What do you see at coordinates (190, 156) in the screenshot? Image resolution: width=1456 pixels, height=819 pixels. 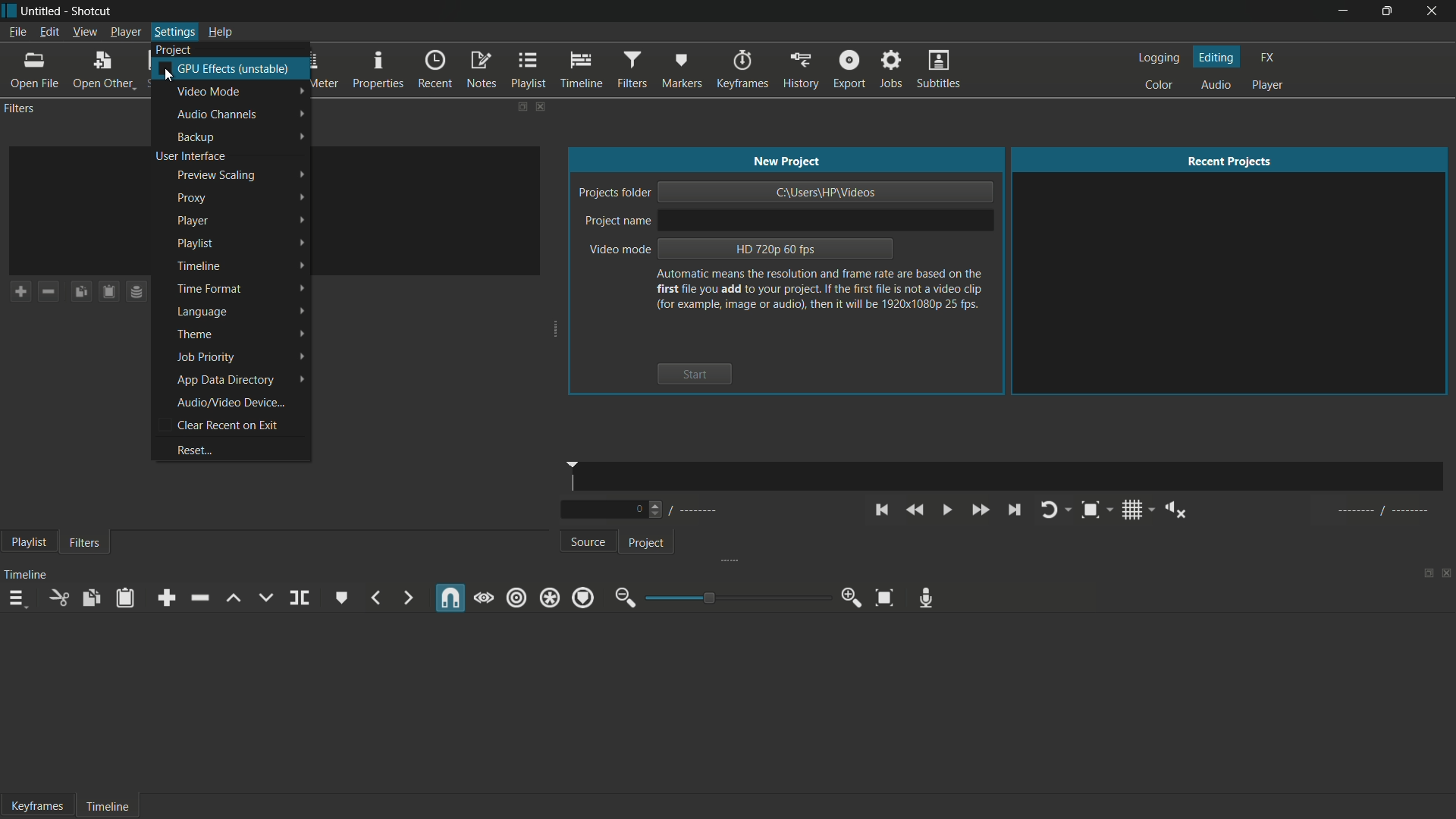 I see `user interface` at bounding box center [190, 156].